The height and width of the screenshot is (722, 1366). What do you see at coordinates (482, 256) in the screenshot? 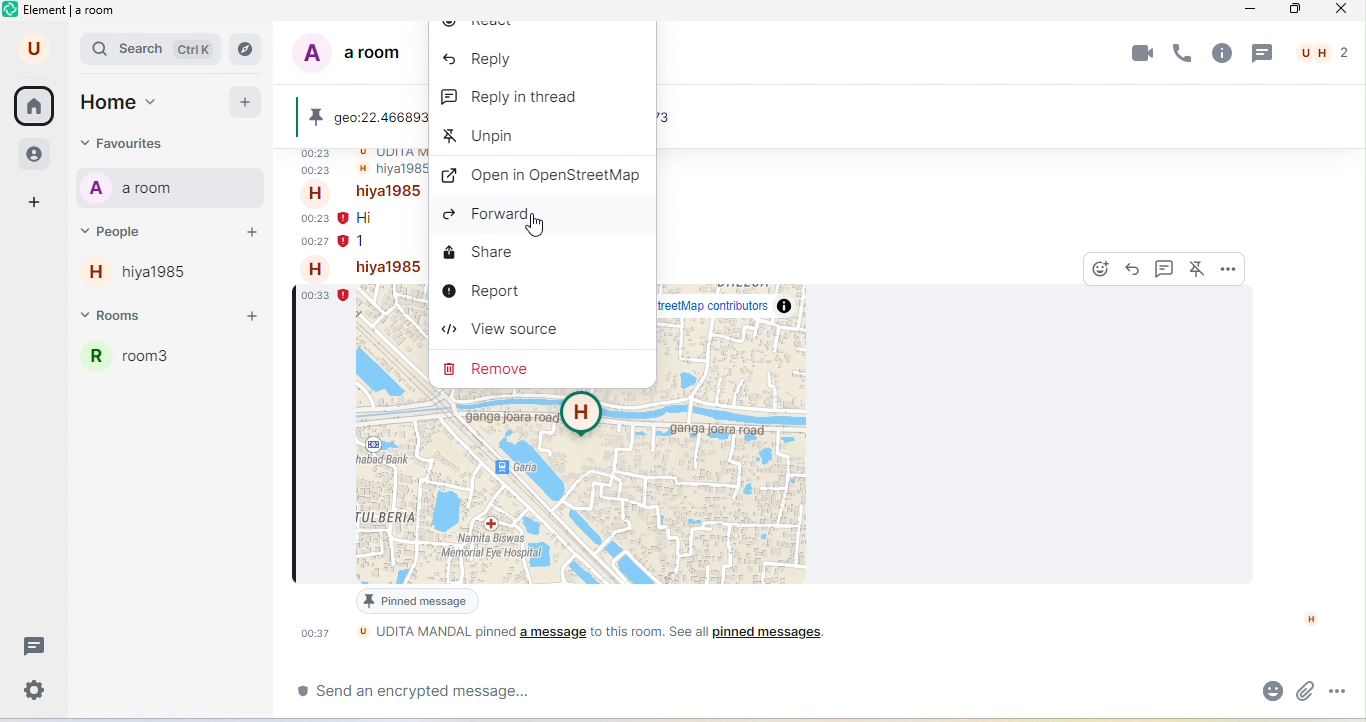
I see `share` at bounding box center [482, 256].